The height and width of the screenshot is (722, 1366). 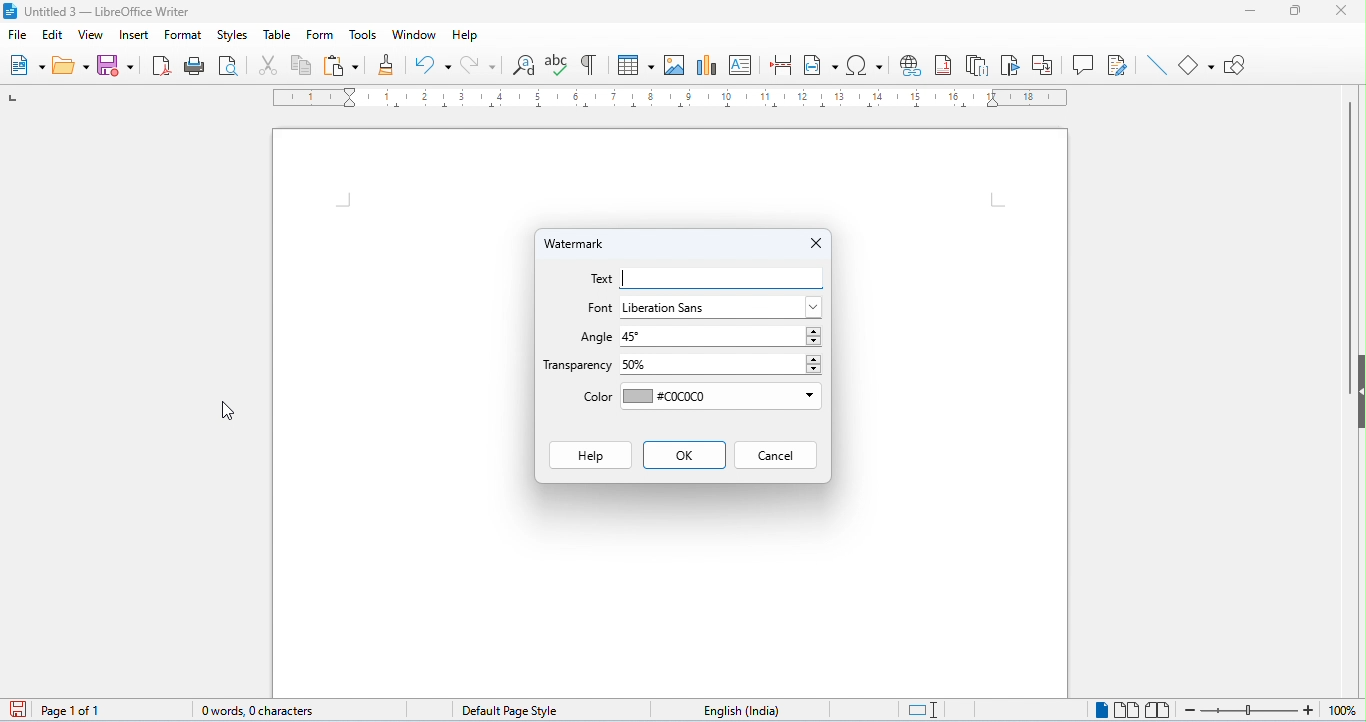 I want to click on vertical scroll bar, so click(x=1349, y=247).